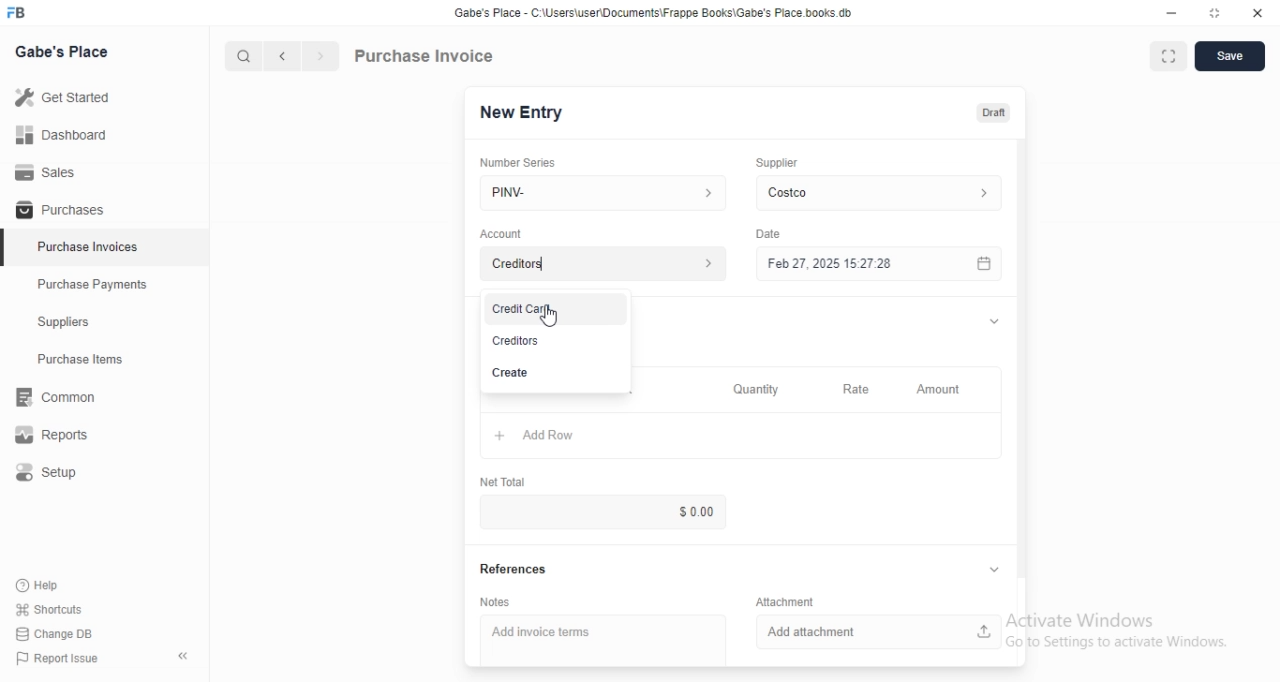 Image resolution: width=1280 pixels, height=682 pixels. Describe the element at coordinates (879, 632) in the screenshot. I see `Add attachment` at that location.